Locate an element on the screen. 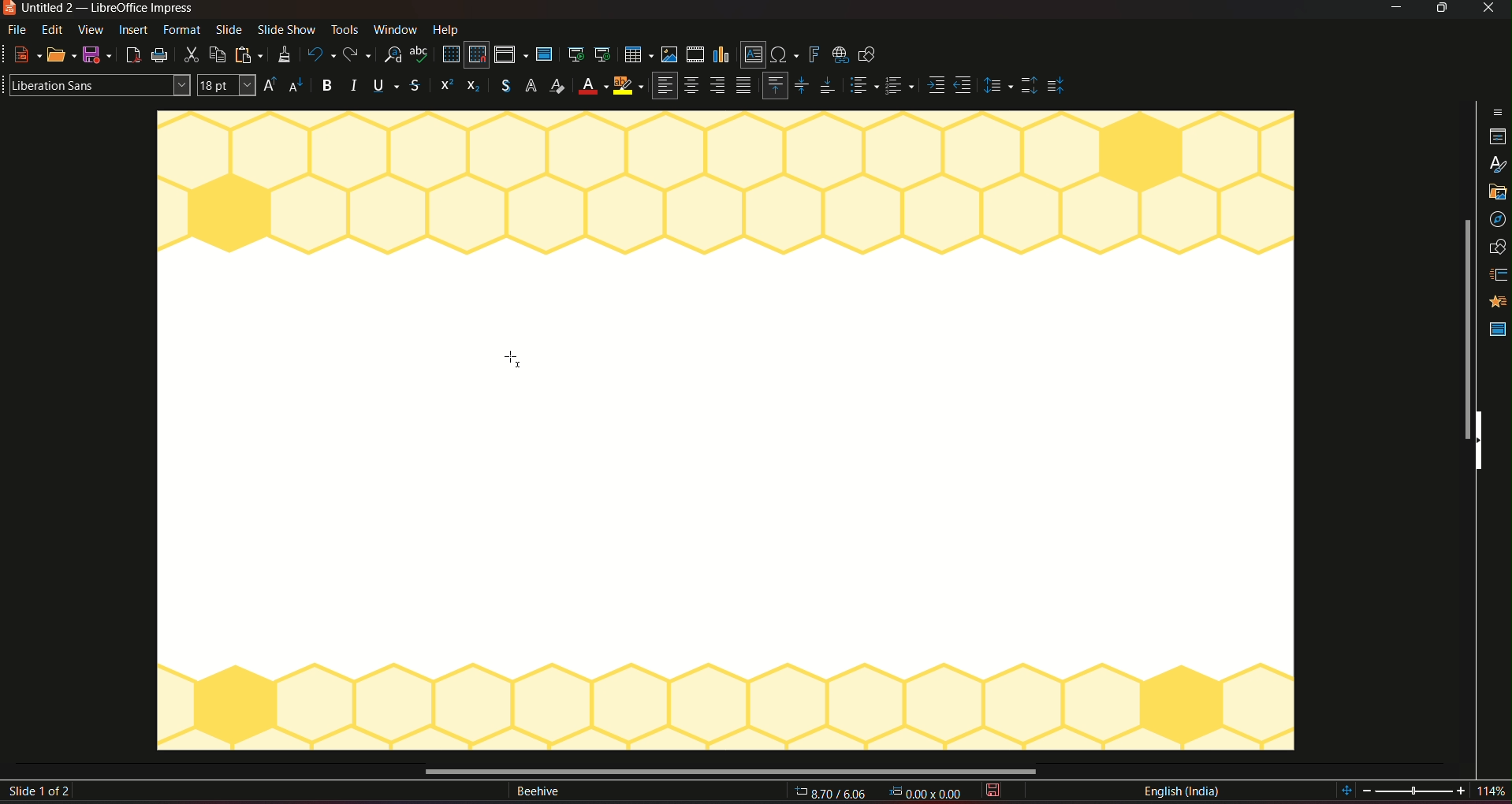  spelling is located at coordinates (420, 56).